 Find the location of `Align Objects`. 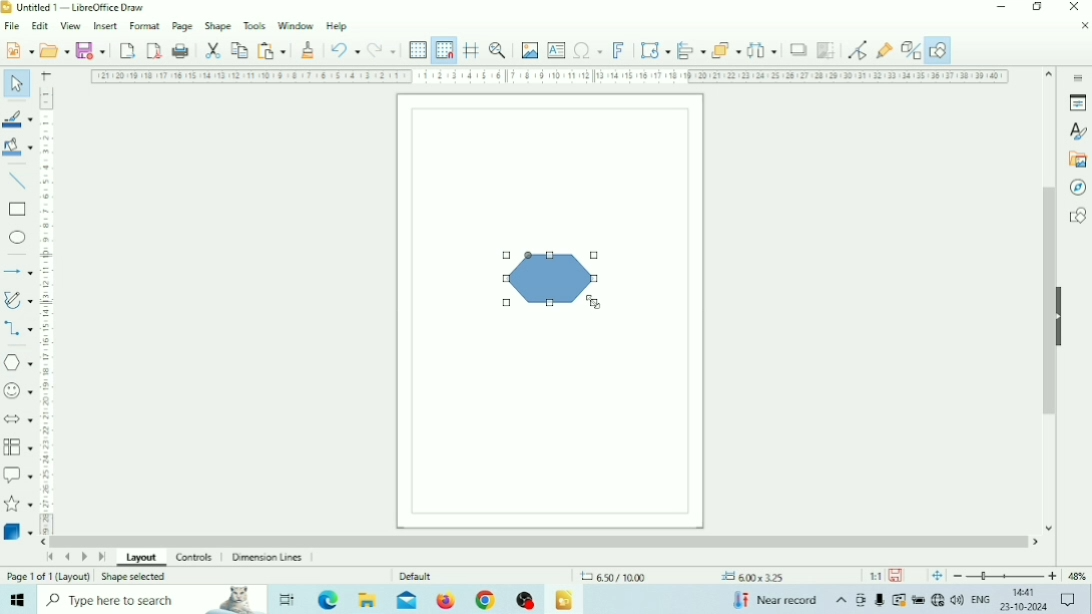

Align Objects is located at coordinates (691, 50).